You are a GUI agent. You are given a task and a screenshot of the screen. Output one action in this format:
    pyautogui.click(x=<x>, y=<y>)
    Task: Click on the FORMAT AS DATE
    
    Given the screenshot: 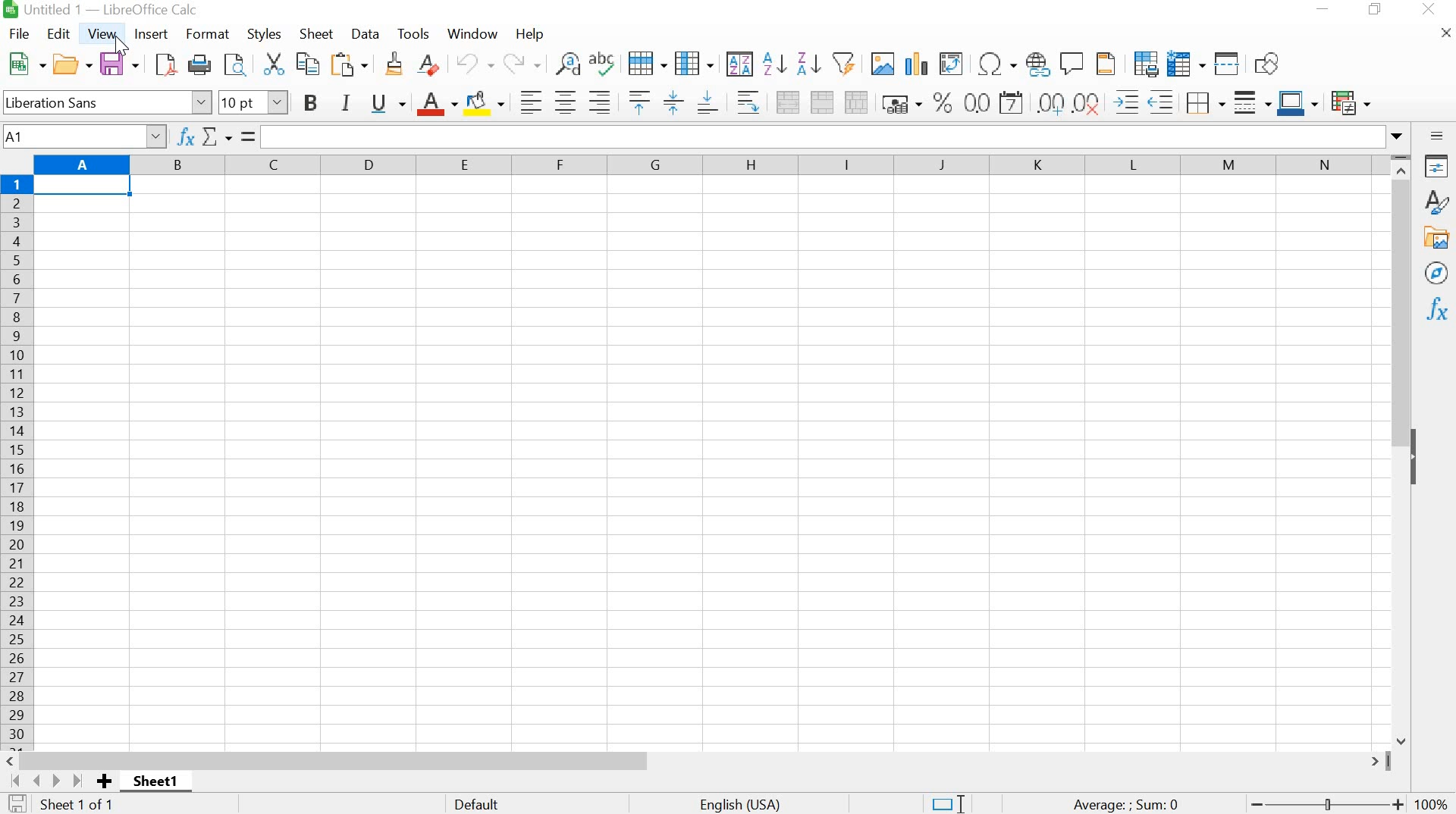 What is the action you would take?
    pyautogui.click(x=1014, y=104)
    